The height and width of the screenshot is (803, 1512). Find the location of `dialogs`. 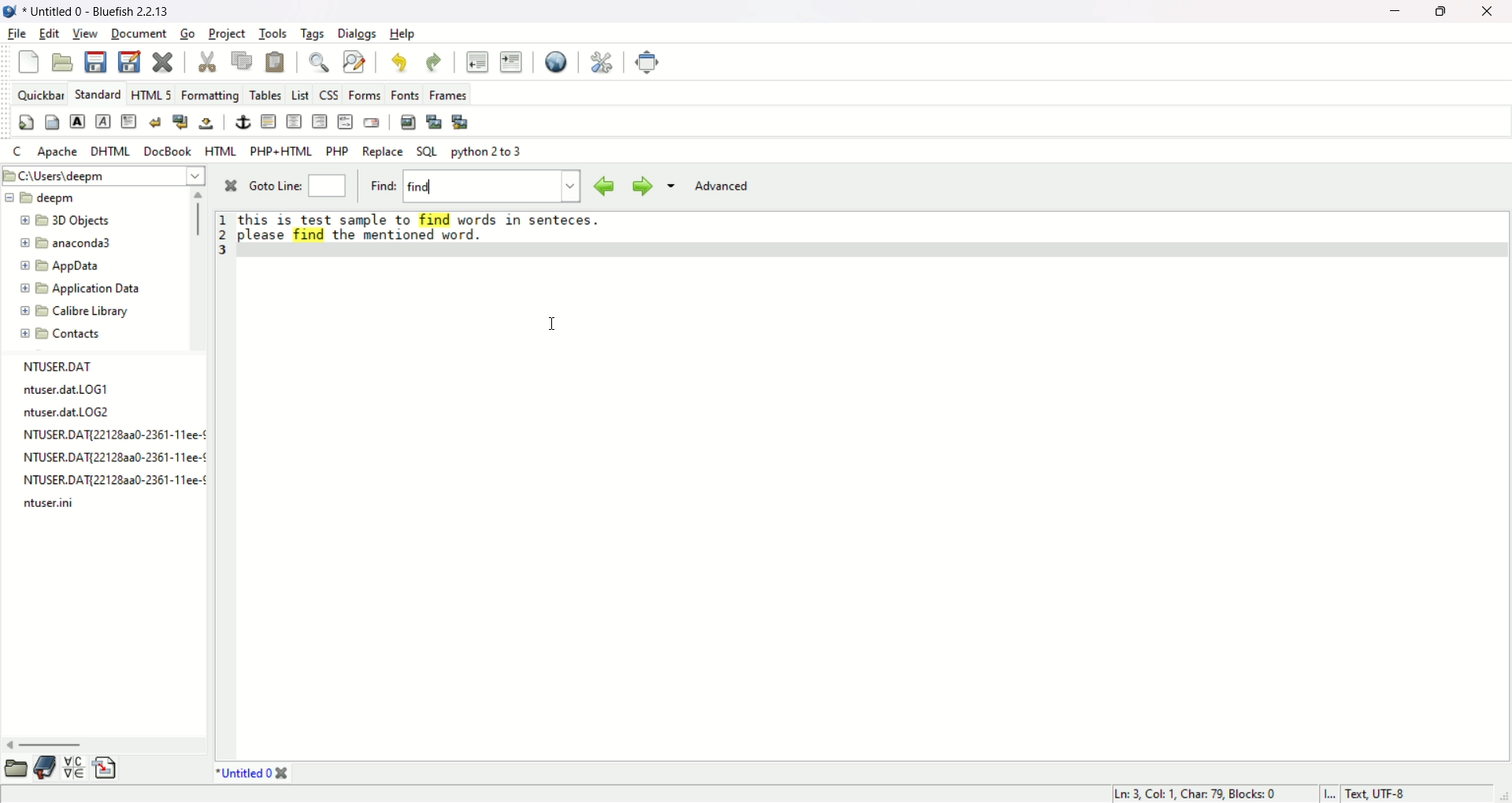

dialogs is located at coordinates (358, 34).